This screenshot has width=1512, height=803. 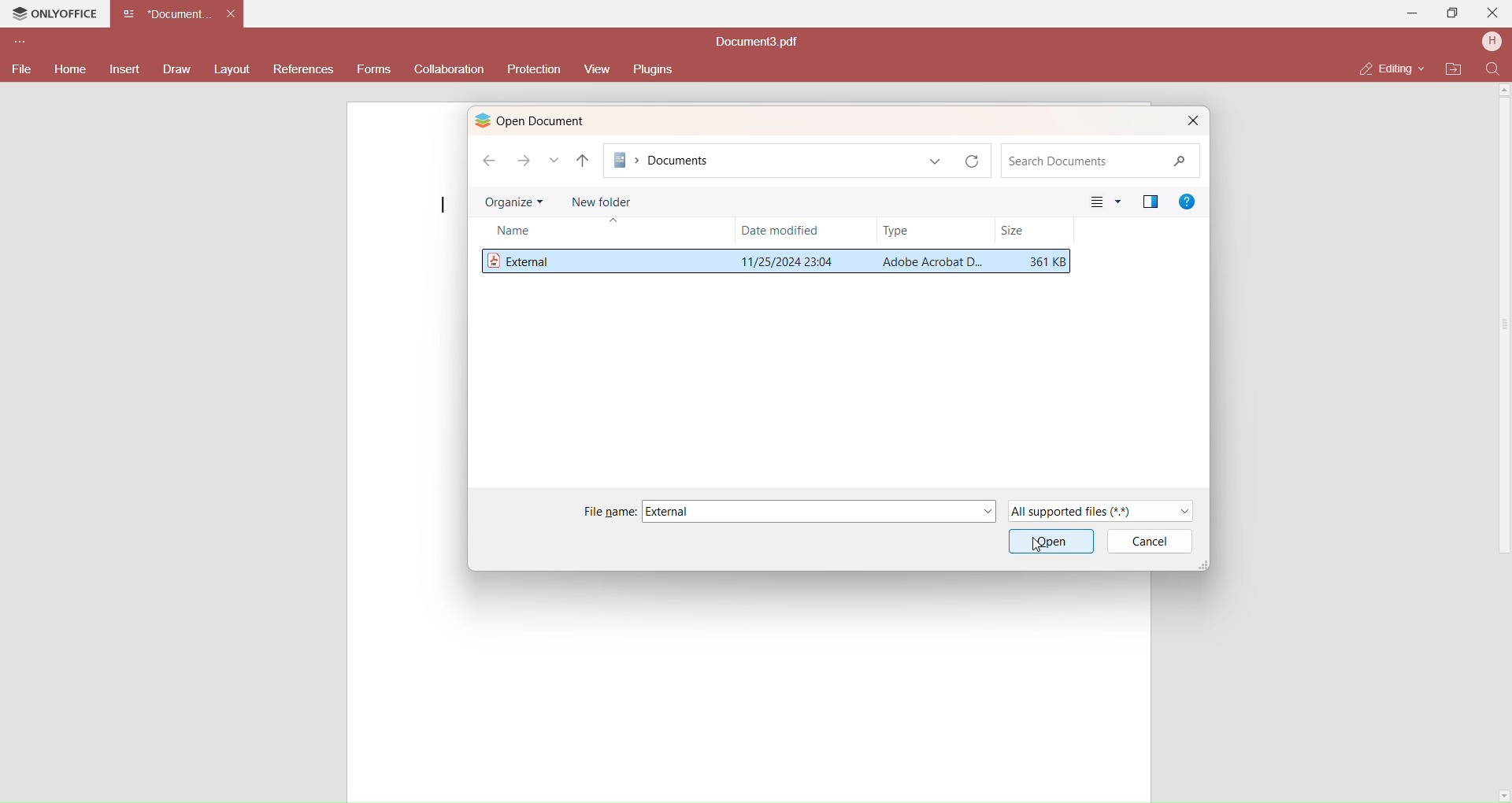 I want to click on Draw, so click(x=176, y=69).